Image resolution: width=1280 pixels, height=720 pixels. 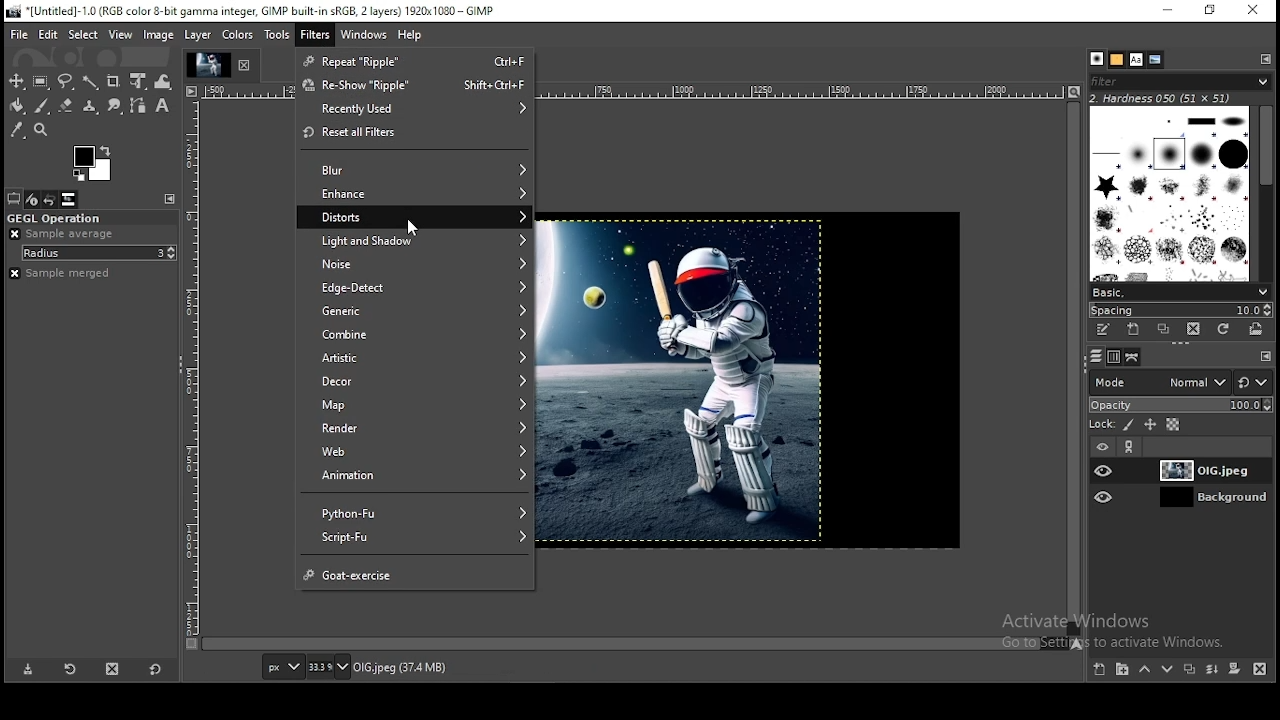 What do you see at coordinates (122, 34) in the screenshot?
I see `view` at bounding box center [122, 34].